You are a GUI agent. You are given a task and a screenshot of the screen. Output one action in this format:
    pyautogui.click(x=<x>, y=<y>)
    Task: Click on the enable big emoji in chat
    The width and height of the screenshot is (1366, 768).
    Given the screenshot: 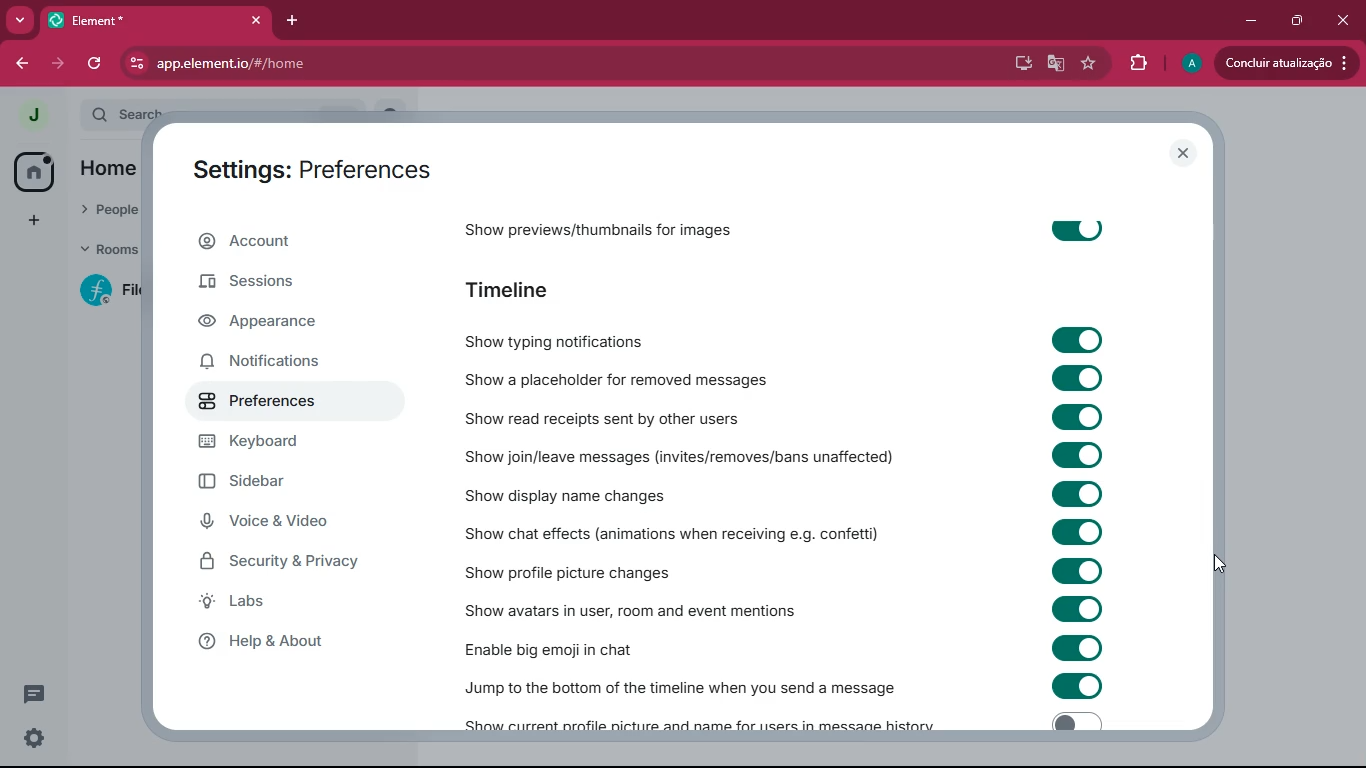 What is the action you would take?
    pyautogui.click(x=584, y=647)
    